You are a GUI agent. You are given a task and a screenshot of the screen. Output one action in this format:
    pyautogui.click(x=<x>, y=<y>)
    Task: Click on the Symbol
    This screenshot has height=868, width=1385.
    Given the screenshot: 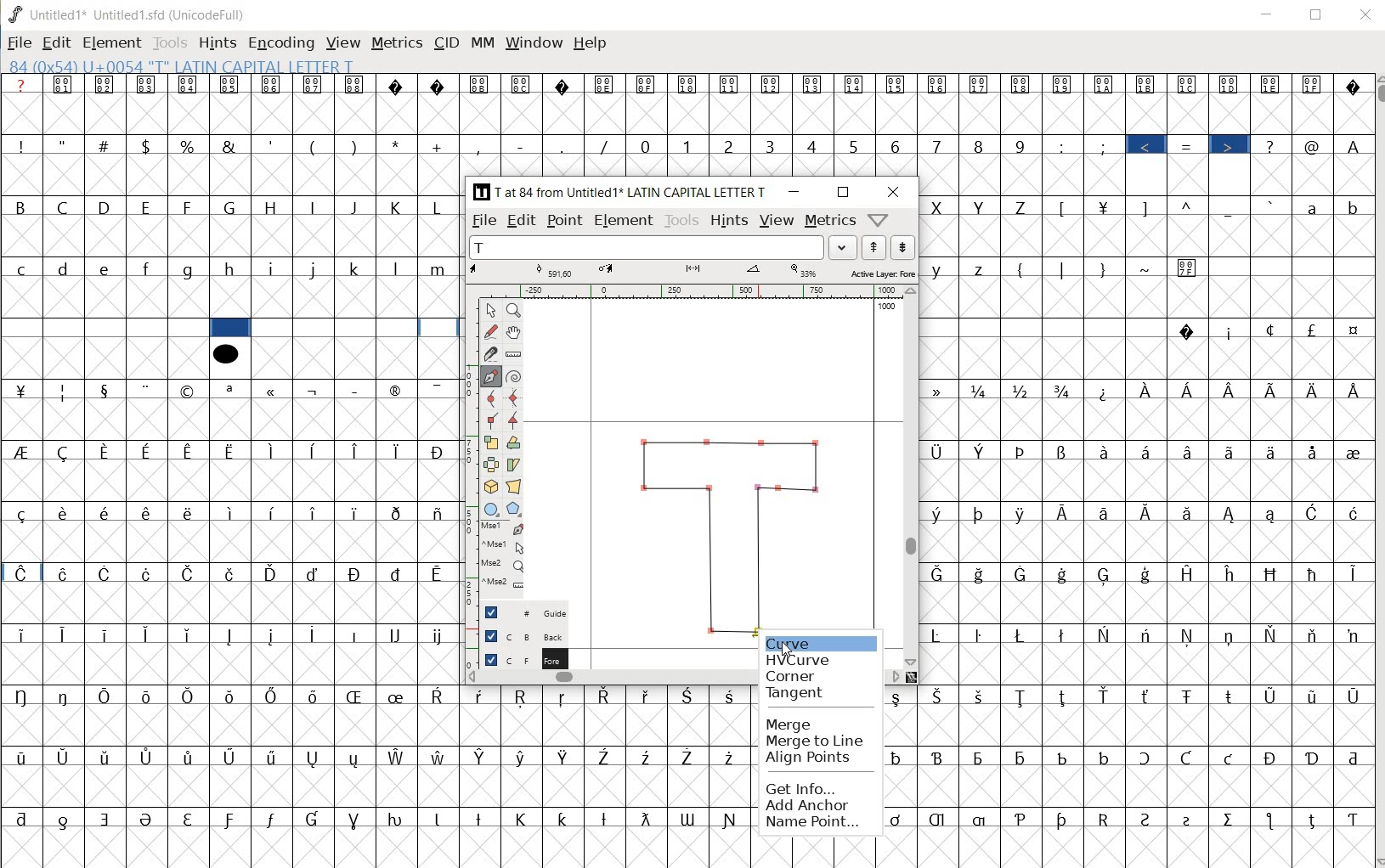 What is the action you would take?
    pyautogui.click(x=274, y=573)
    